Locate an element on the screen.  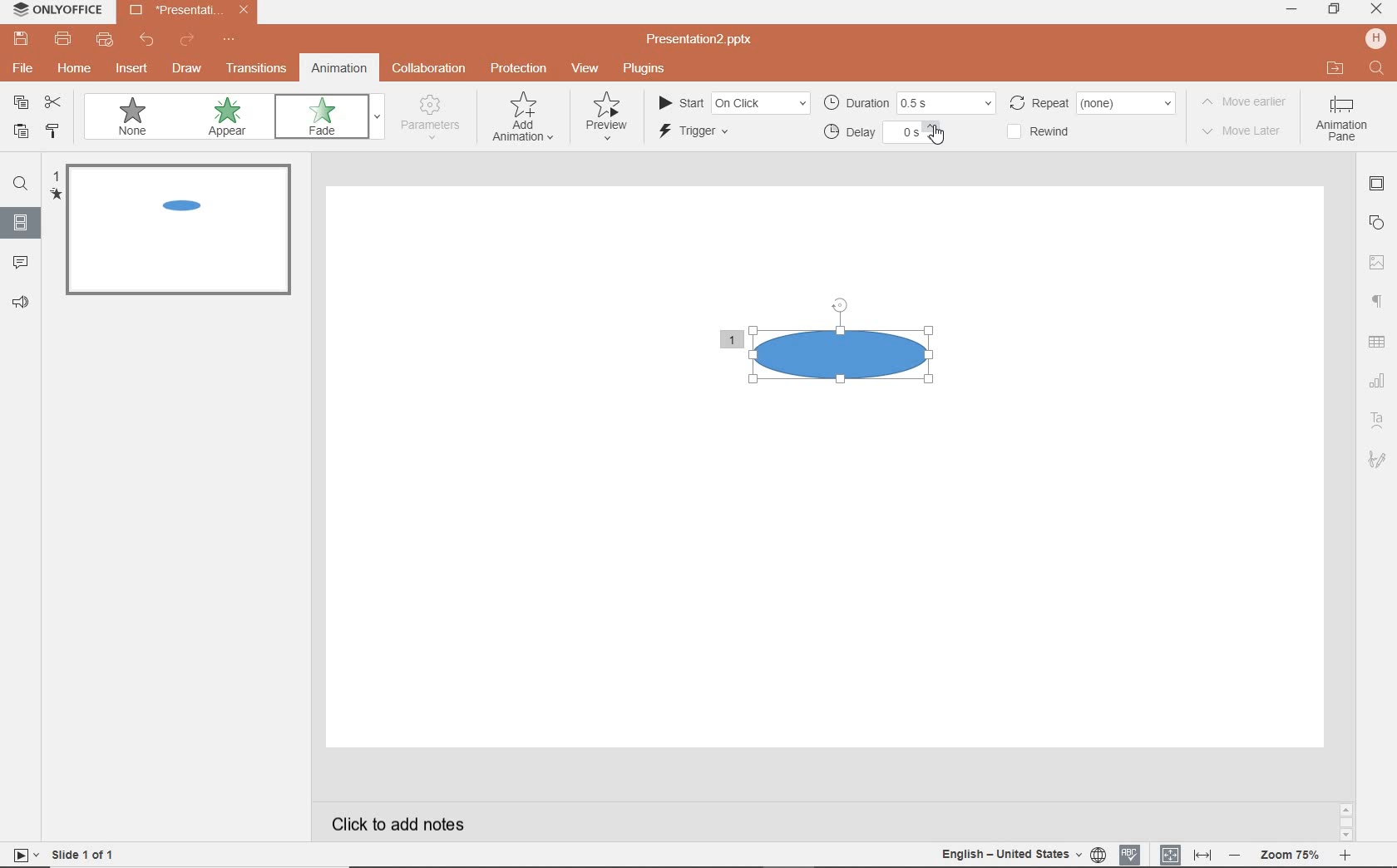
fade is located at coordinates (322, 116).